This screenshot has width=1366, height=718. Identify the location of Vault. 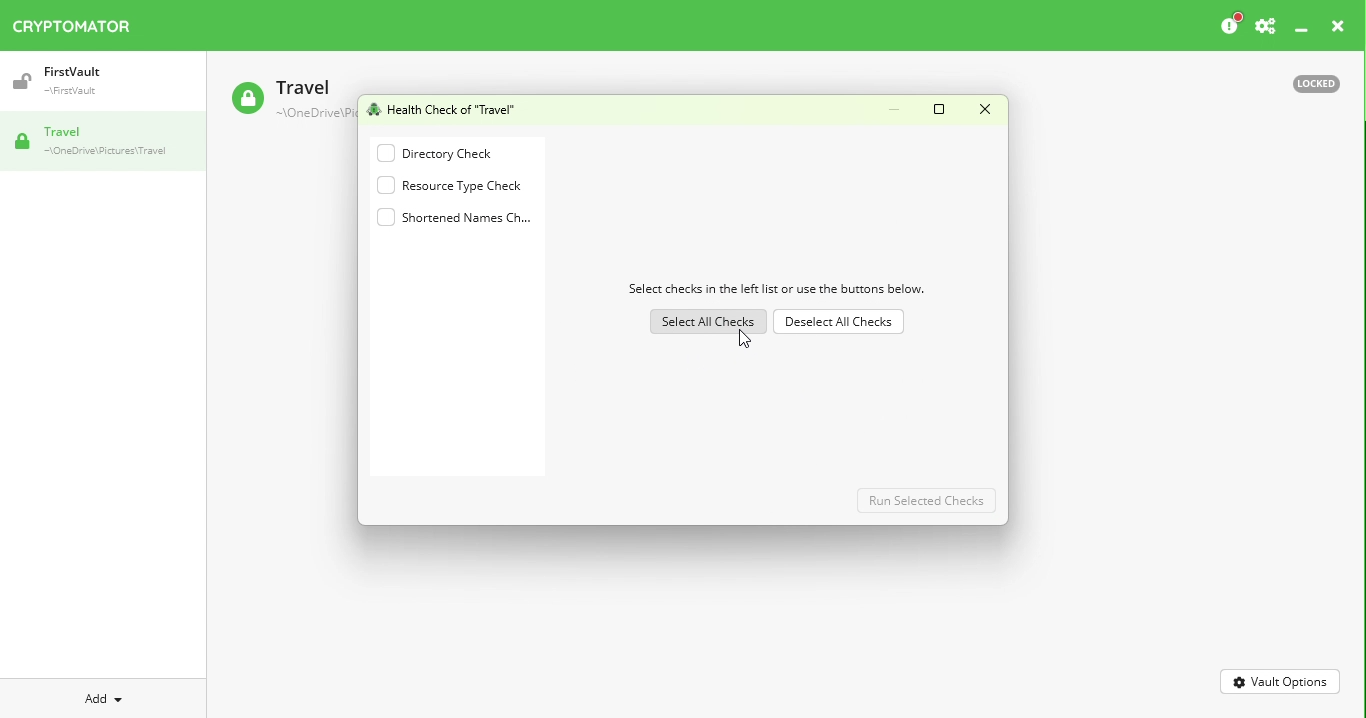
(97, 141).